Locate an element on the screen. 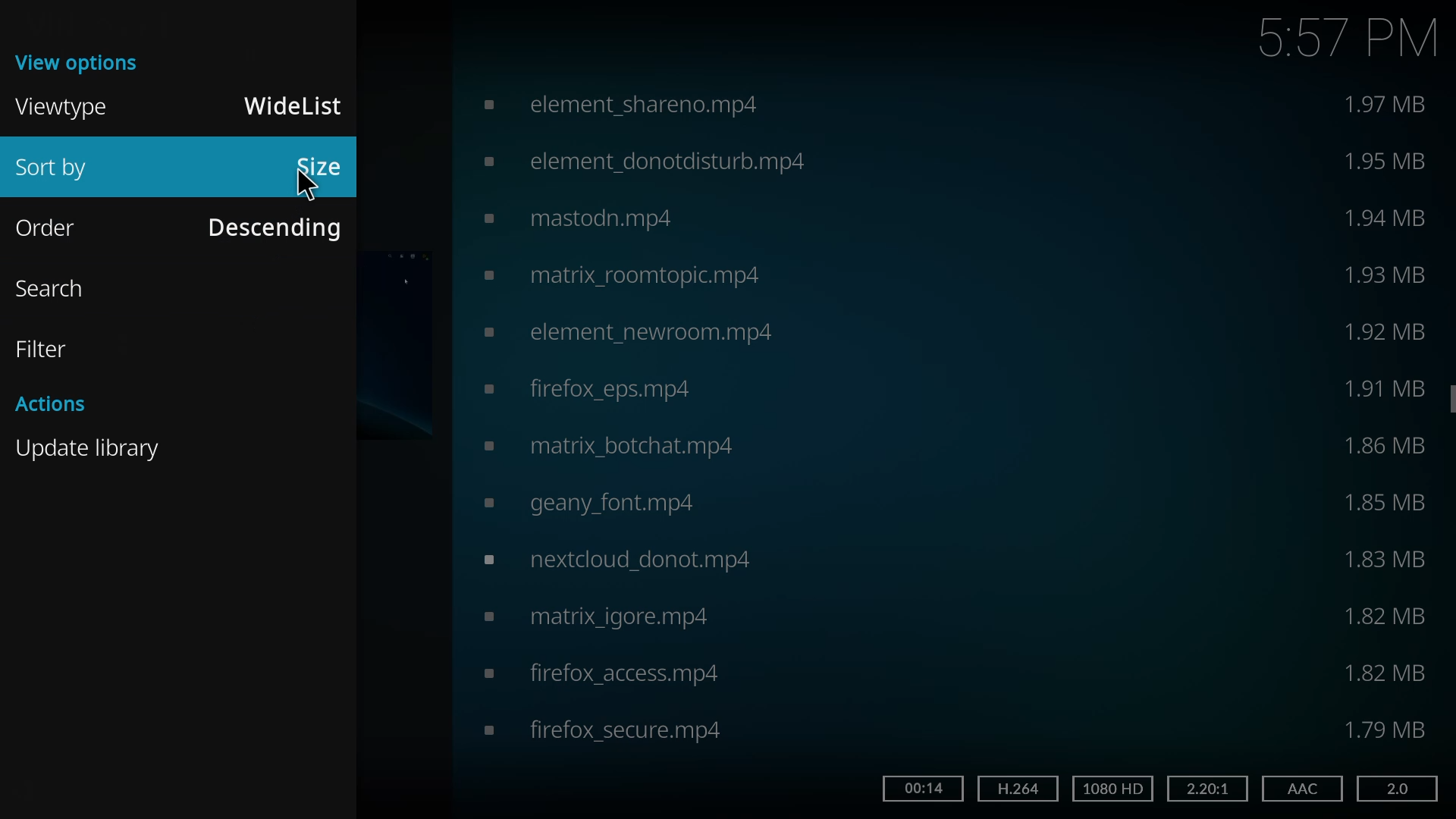 The width and height of the screenshot is (1456, 819). h is located at coordinates (1016, 787).